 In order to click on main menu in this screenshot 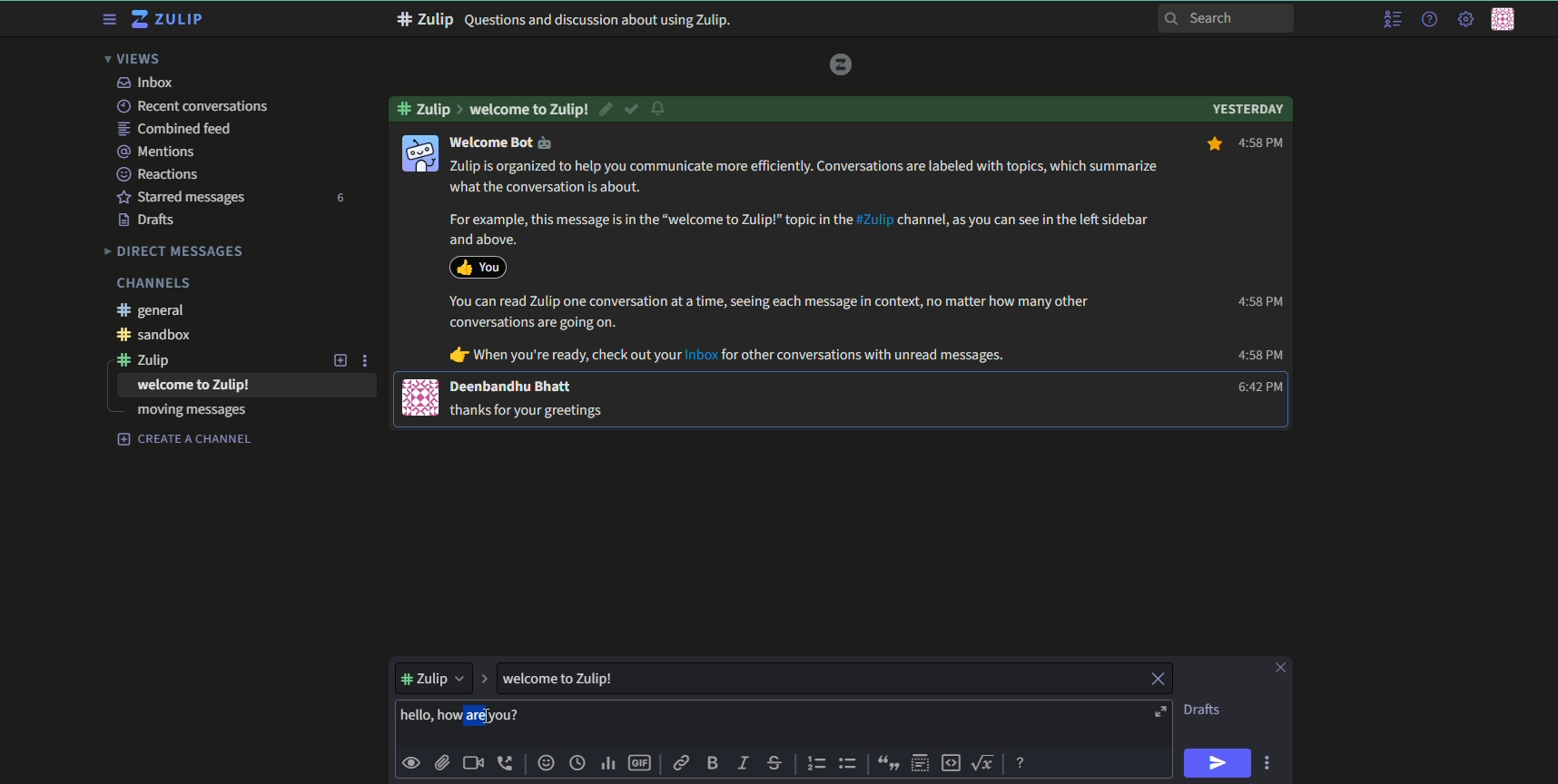, I will do `click(1464, 19)`.